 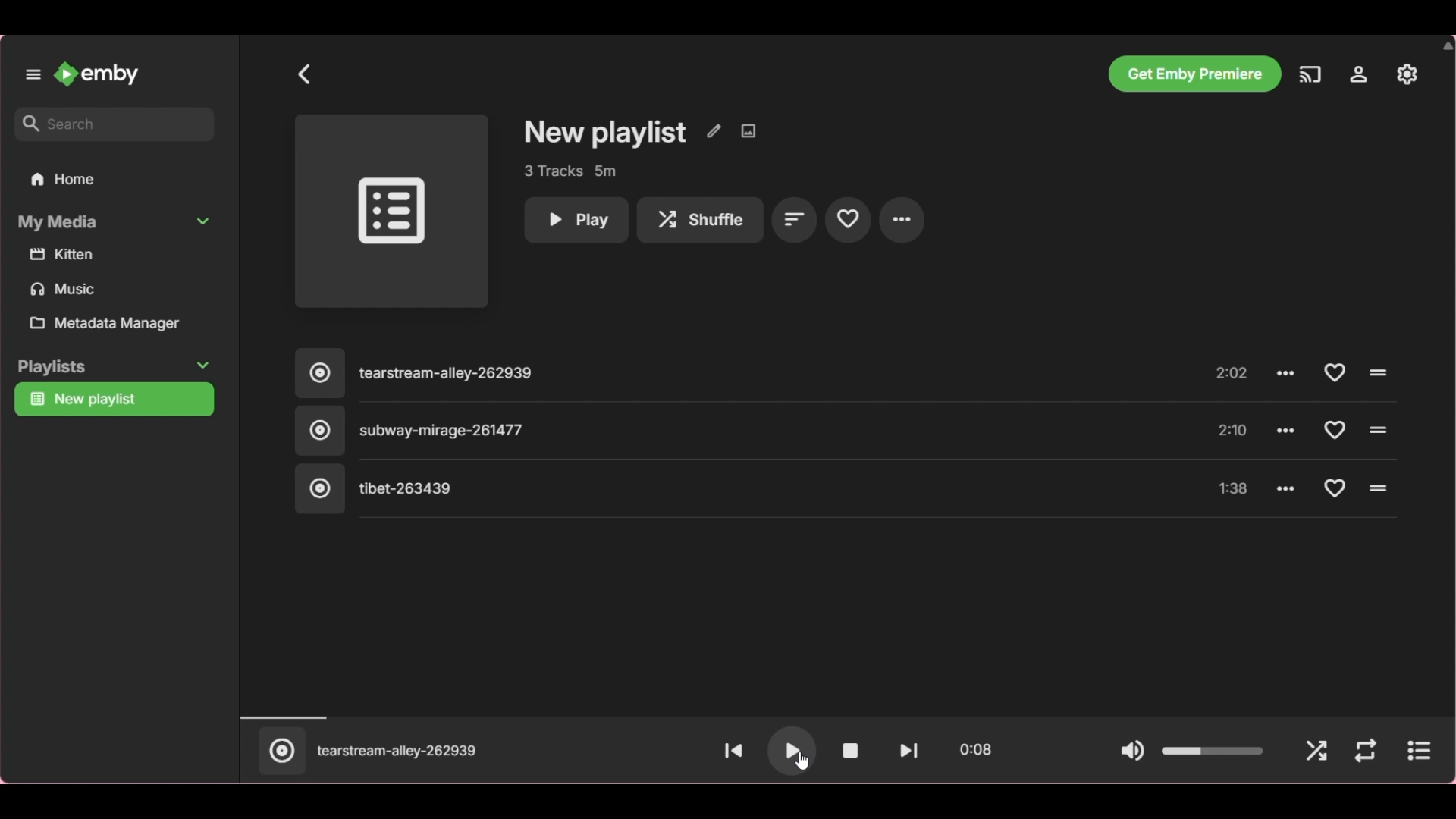 What do you see at coordinates (115, 222) in the screenshot?
I see `Collapse My Media` at bounding box center [115, 222].